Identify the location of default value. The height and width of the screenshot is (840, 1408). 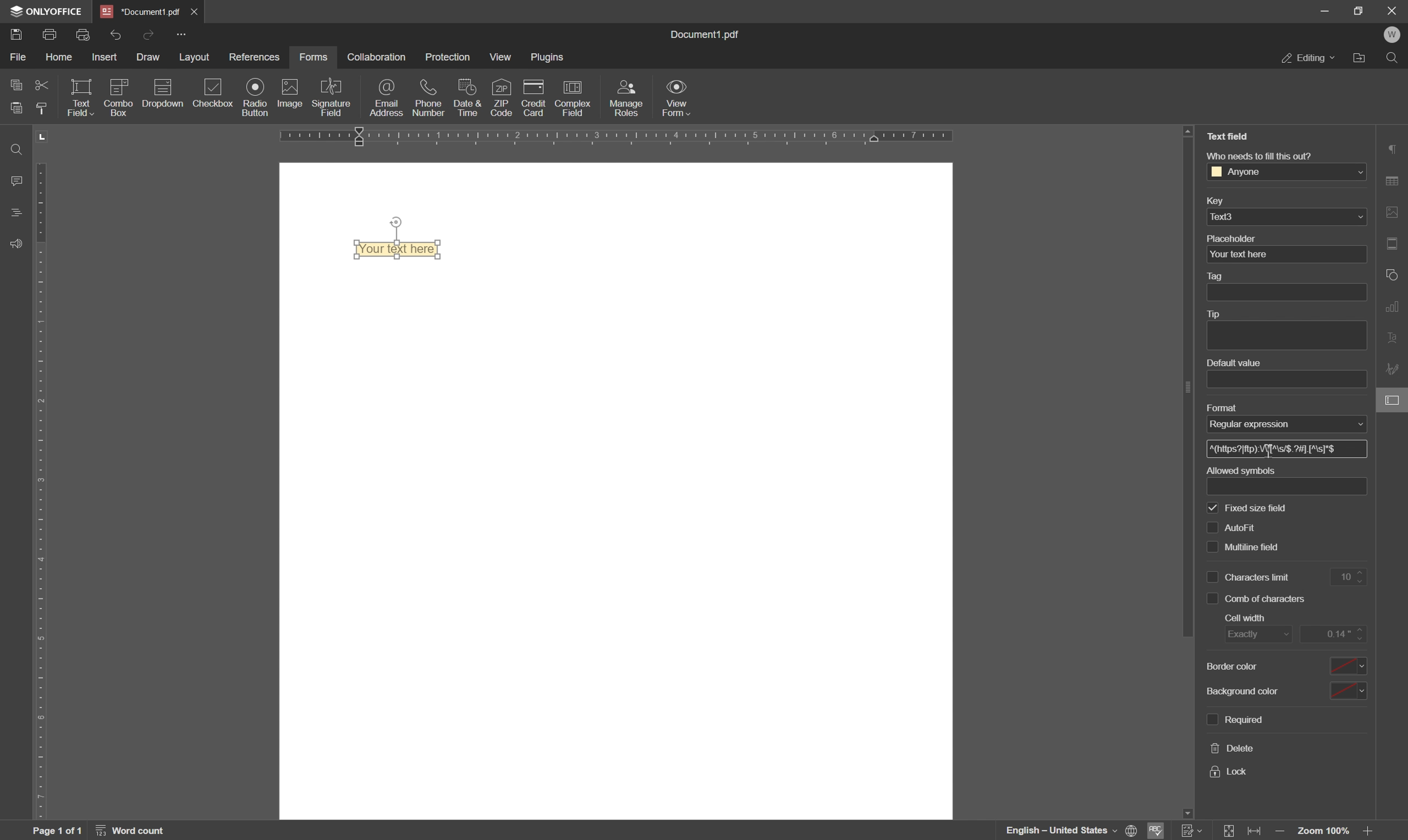
(1231, 363).